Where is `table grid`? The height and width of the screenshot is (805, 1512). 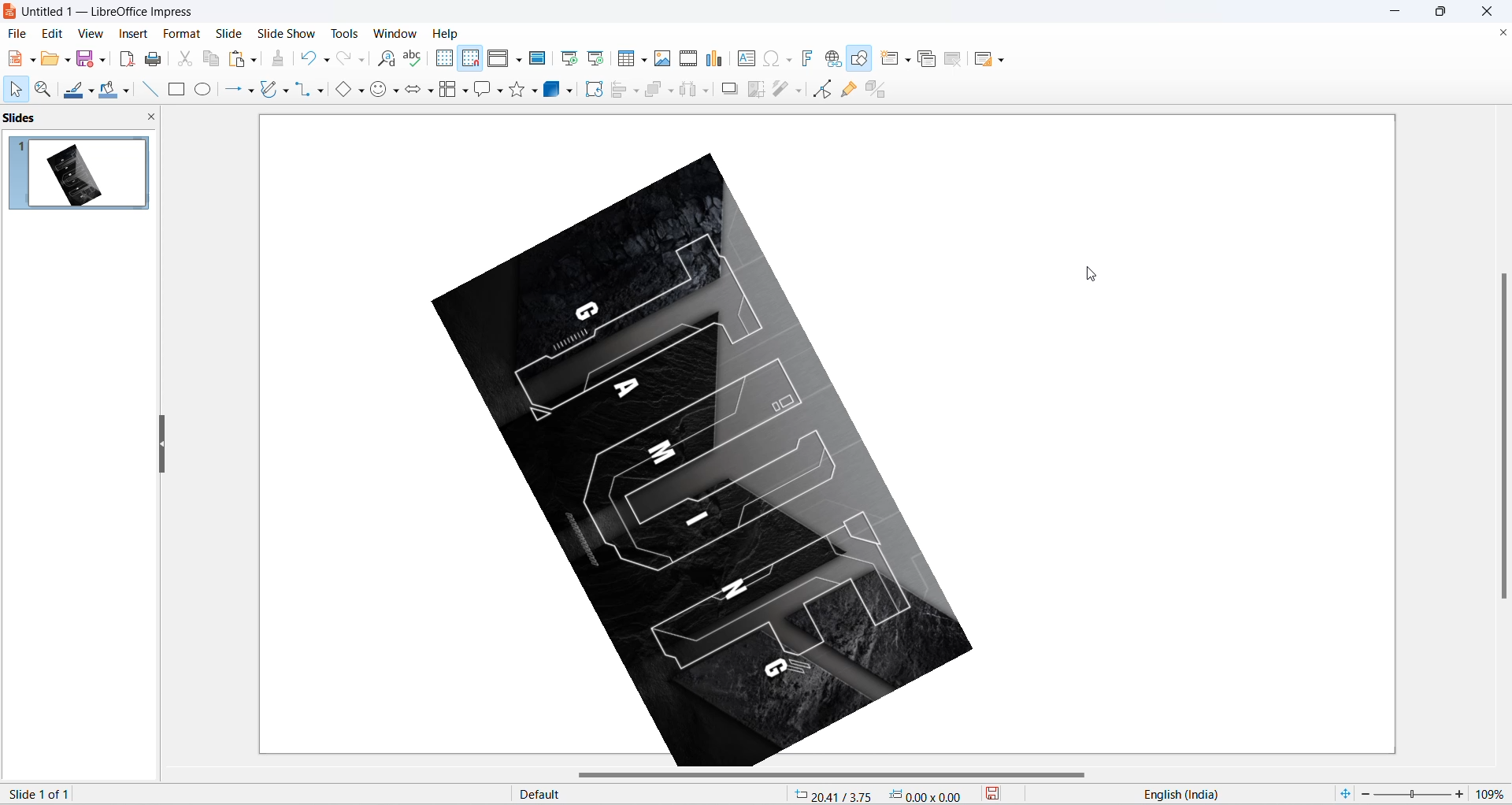
table grid is located at coordinates (645, 60).